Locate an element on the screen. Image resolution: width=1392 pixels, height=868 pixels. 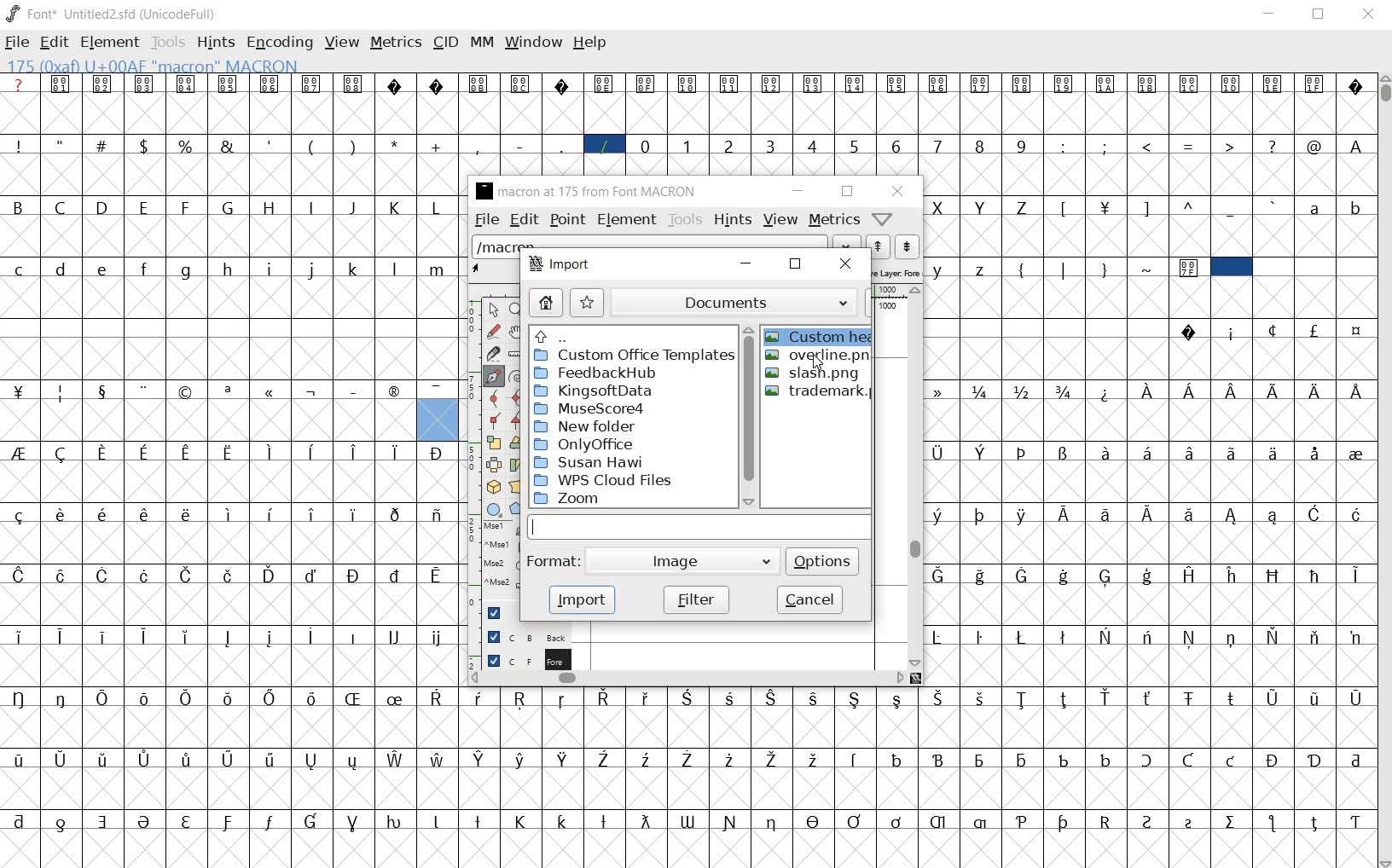
Symbol is located at coordinates (1354, 820).